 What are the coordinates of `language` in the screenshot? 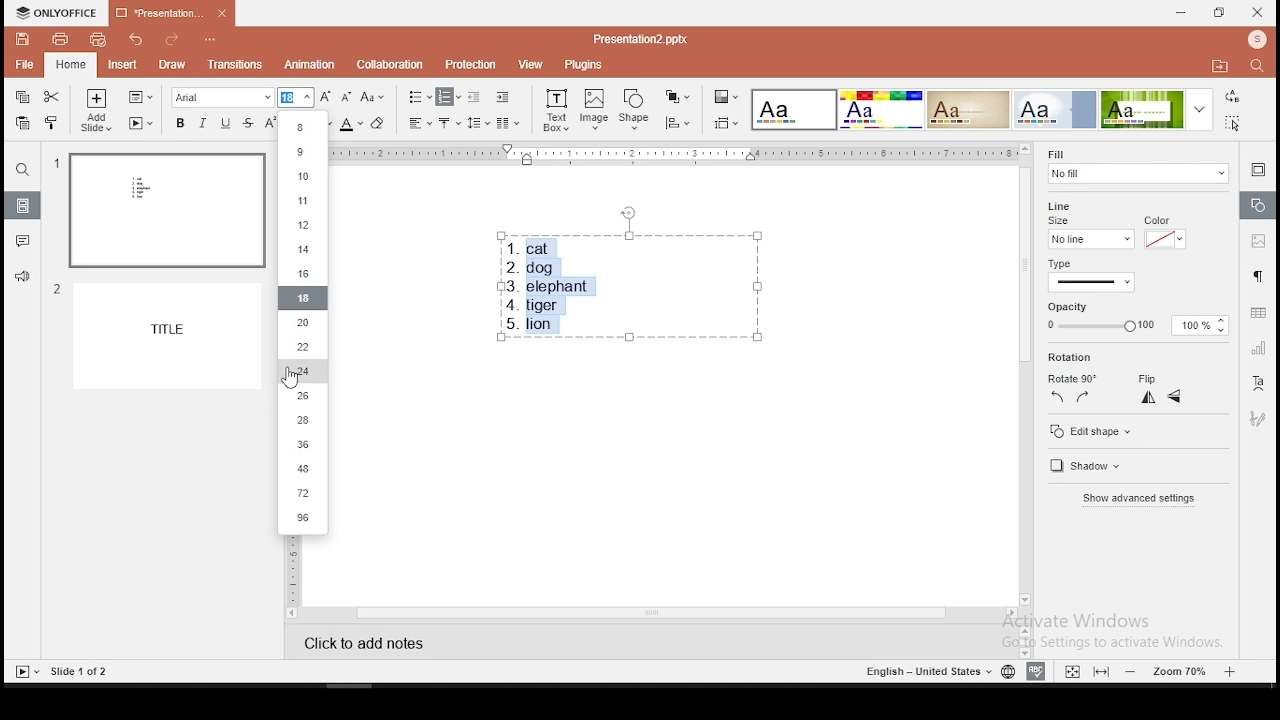 It's located at (1004, 671).